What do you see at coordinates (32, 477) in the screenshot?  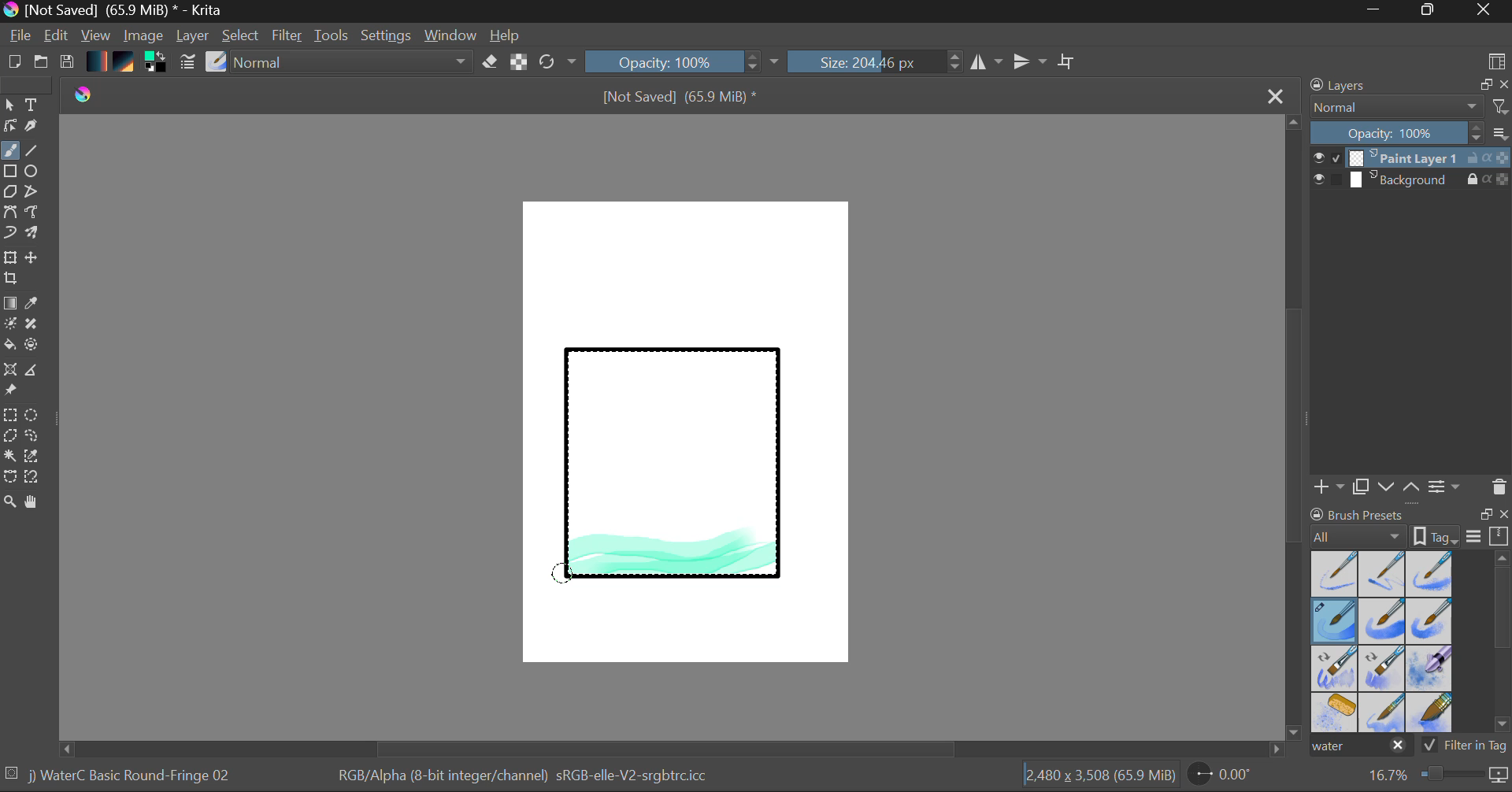 I see `Magnetic Selection Tool` at bounding box center [32, 477].